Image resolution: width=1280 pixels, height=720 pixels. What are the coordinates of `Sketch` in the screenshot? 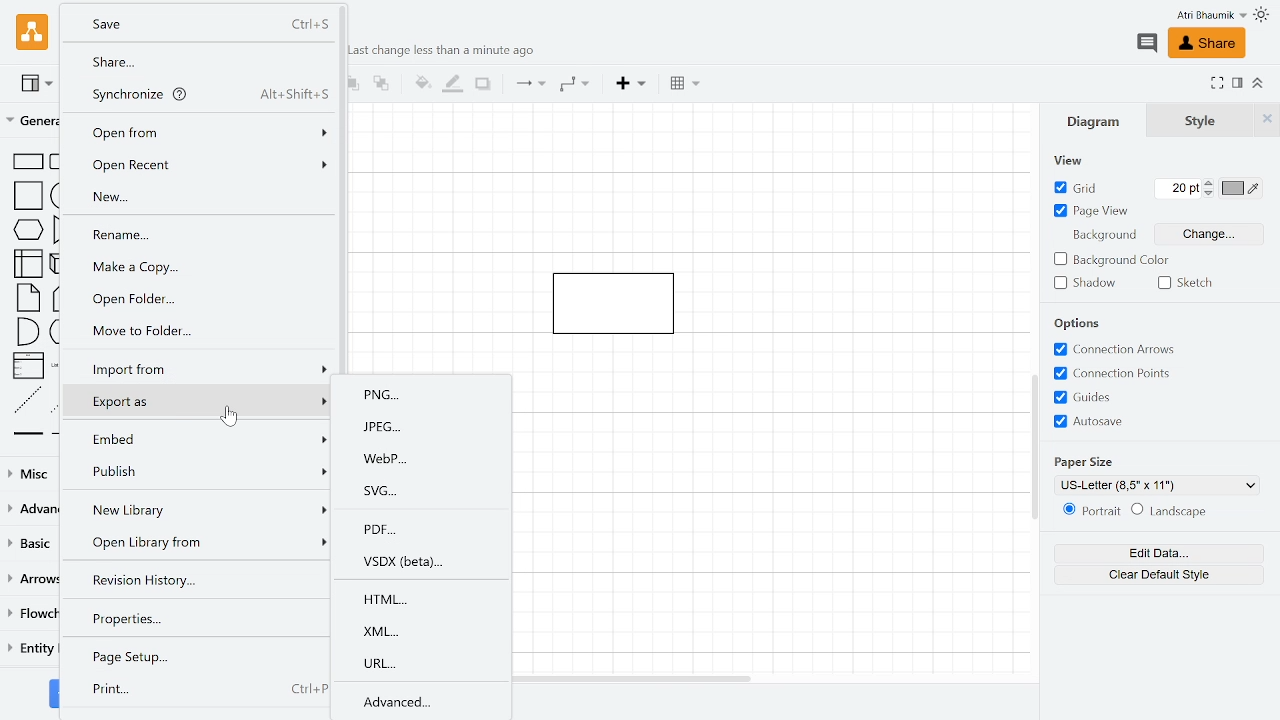 It's located at (1188, 283).